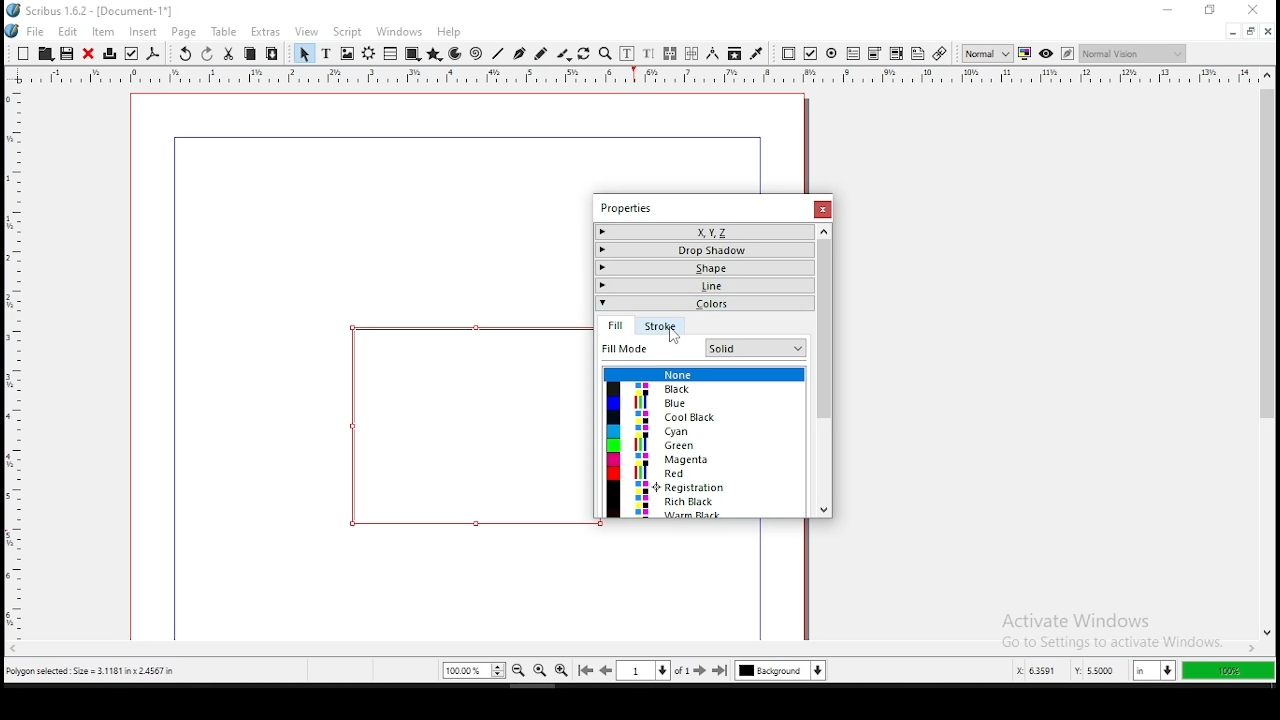 This screenshot has width=1280, height=720. What do you see at coordinates (648, 54) in the screenshot?
I see `edit text with story editor` at bounding box center [648, 54].